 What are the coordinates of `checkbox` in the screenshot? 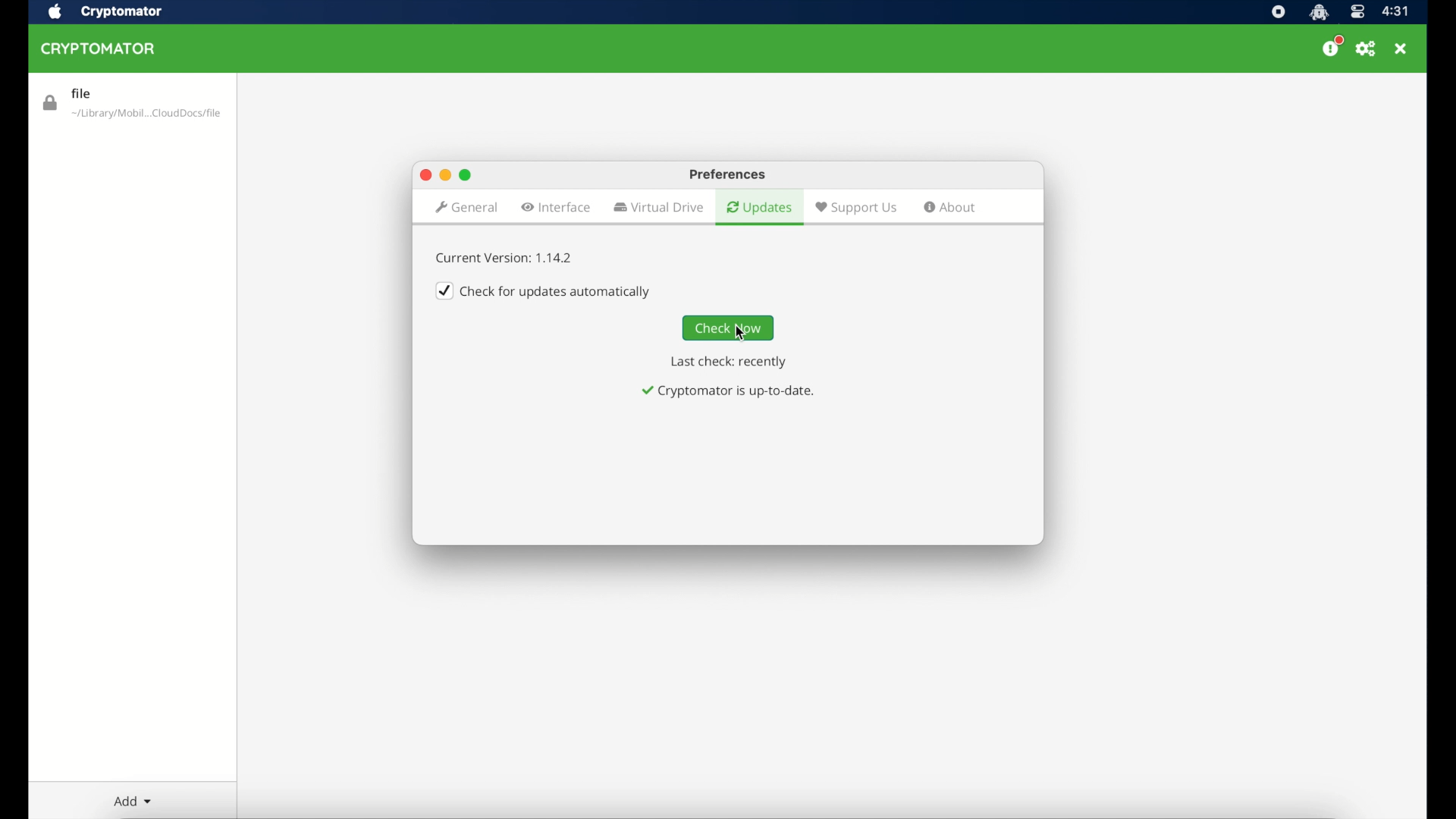 It's located at (544, 290).